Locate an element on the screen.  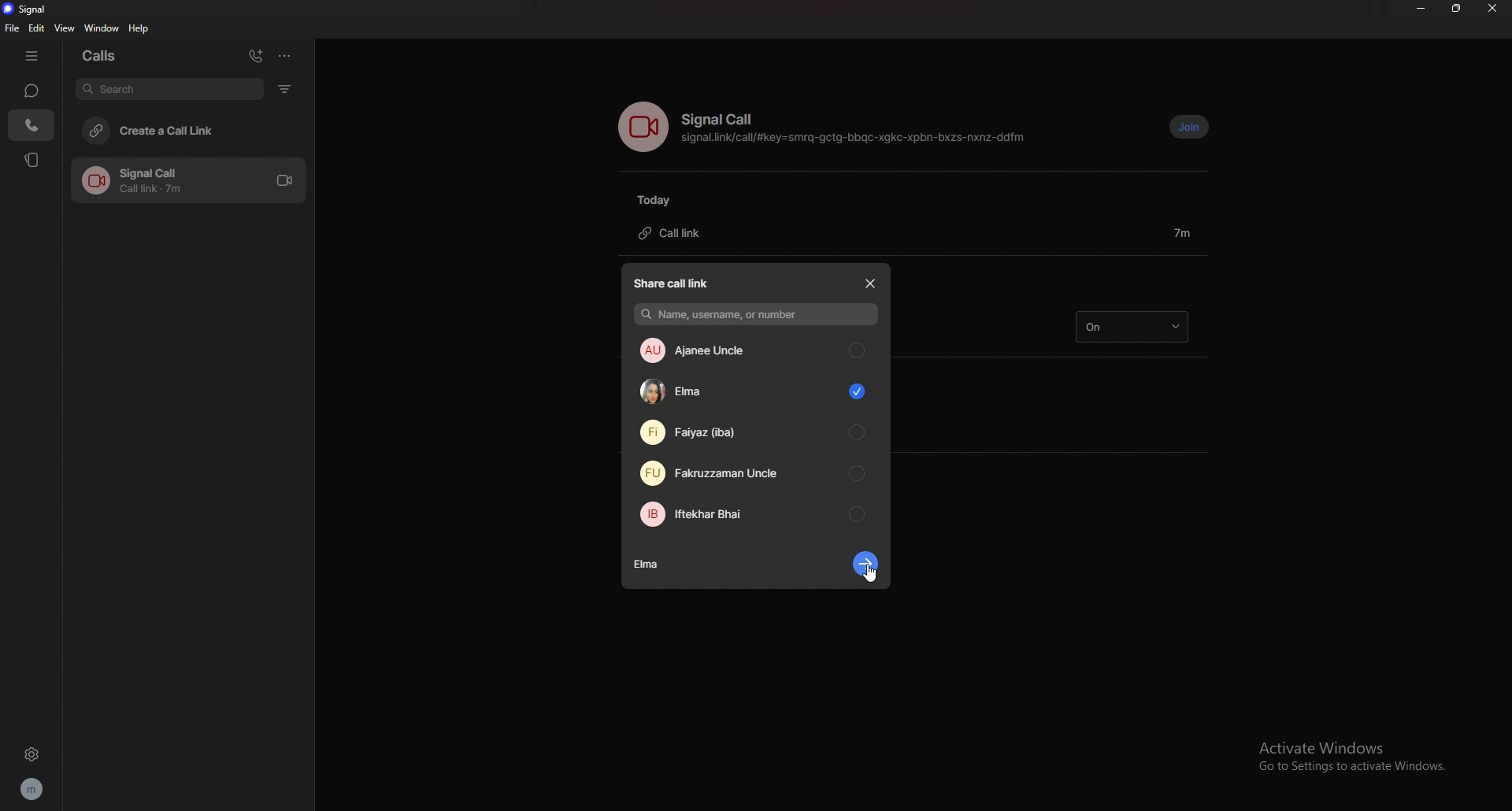
filter is located at coordinates (284, 89).